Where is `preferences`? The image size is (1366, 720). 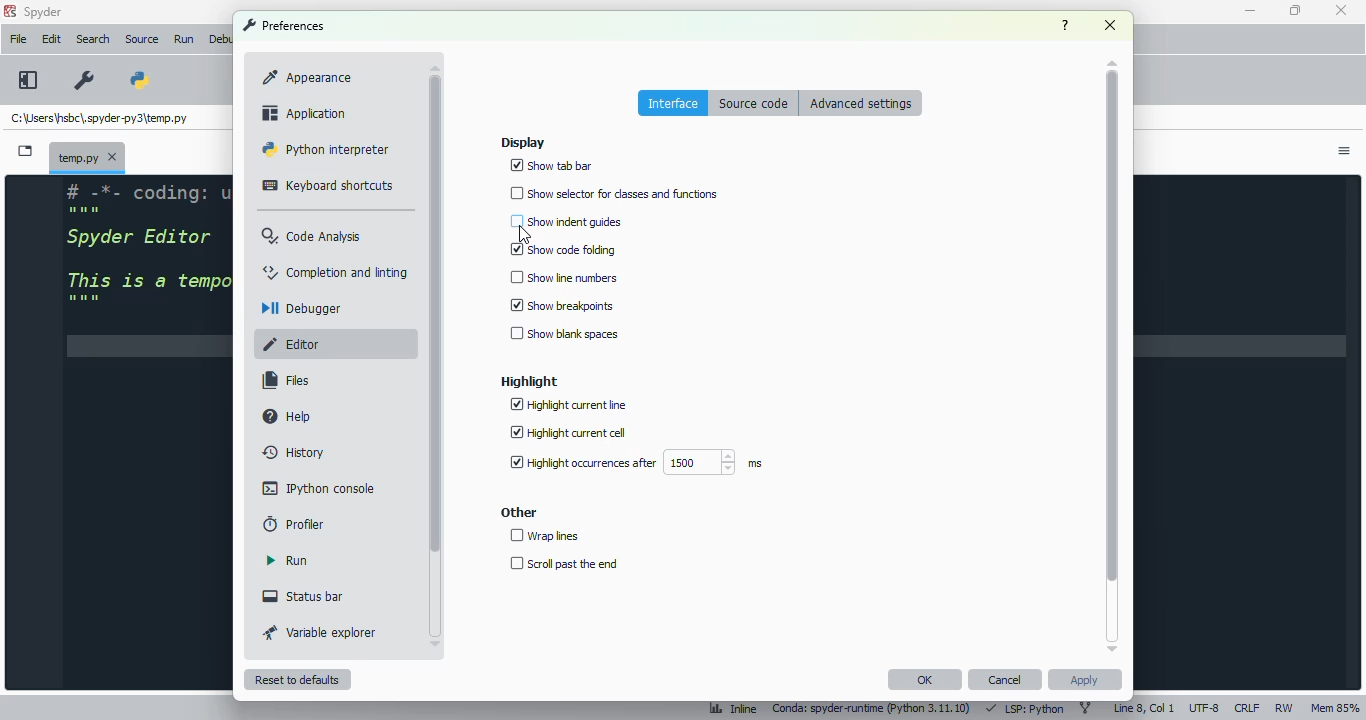
preferences is located at coordinates (286, 26).